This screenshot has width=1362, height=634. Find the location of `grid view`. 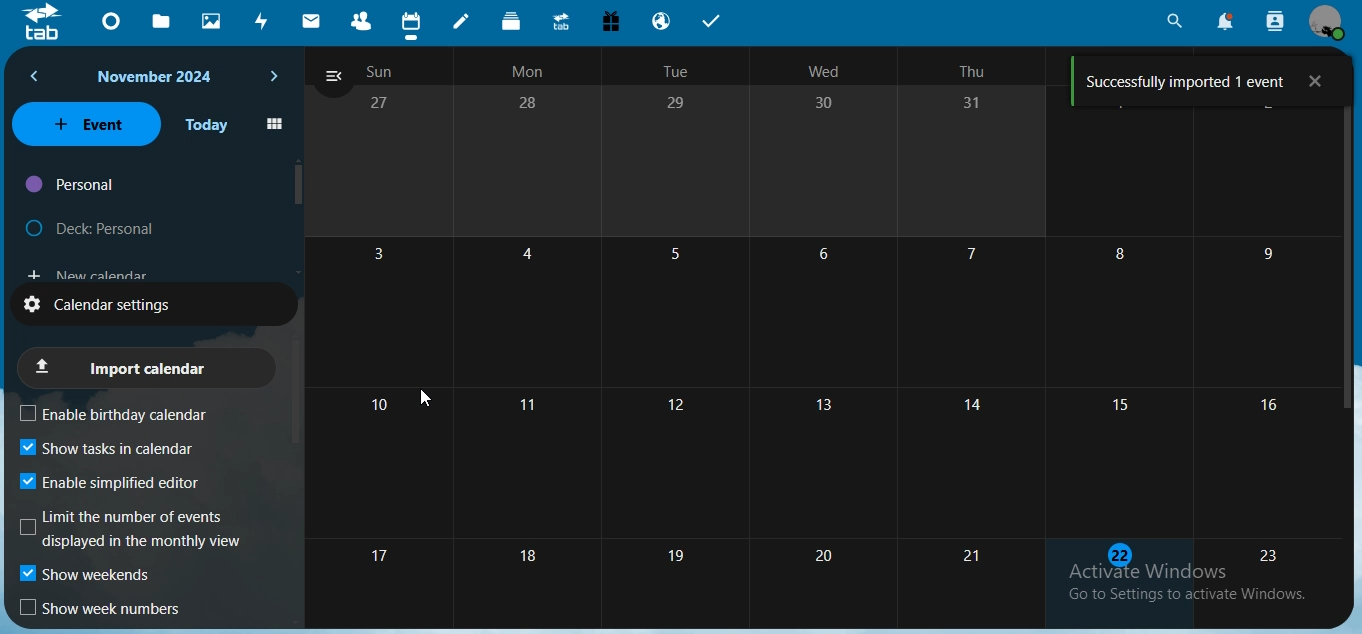

grid view is located at coordinates (274, 125).